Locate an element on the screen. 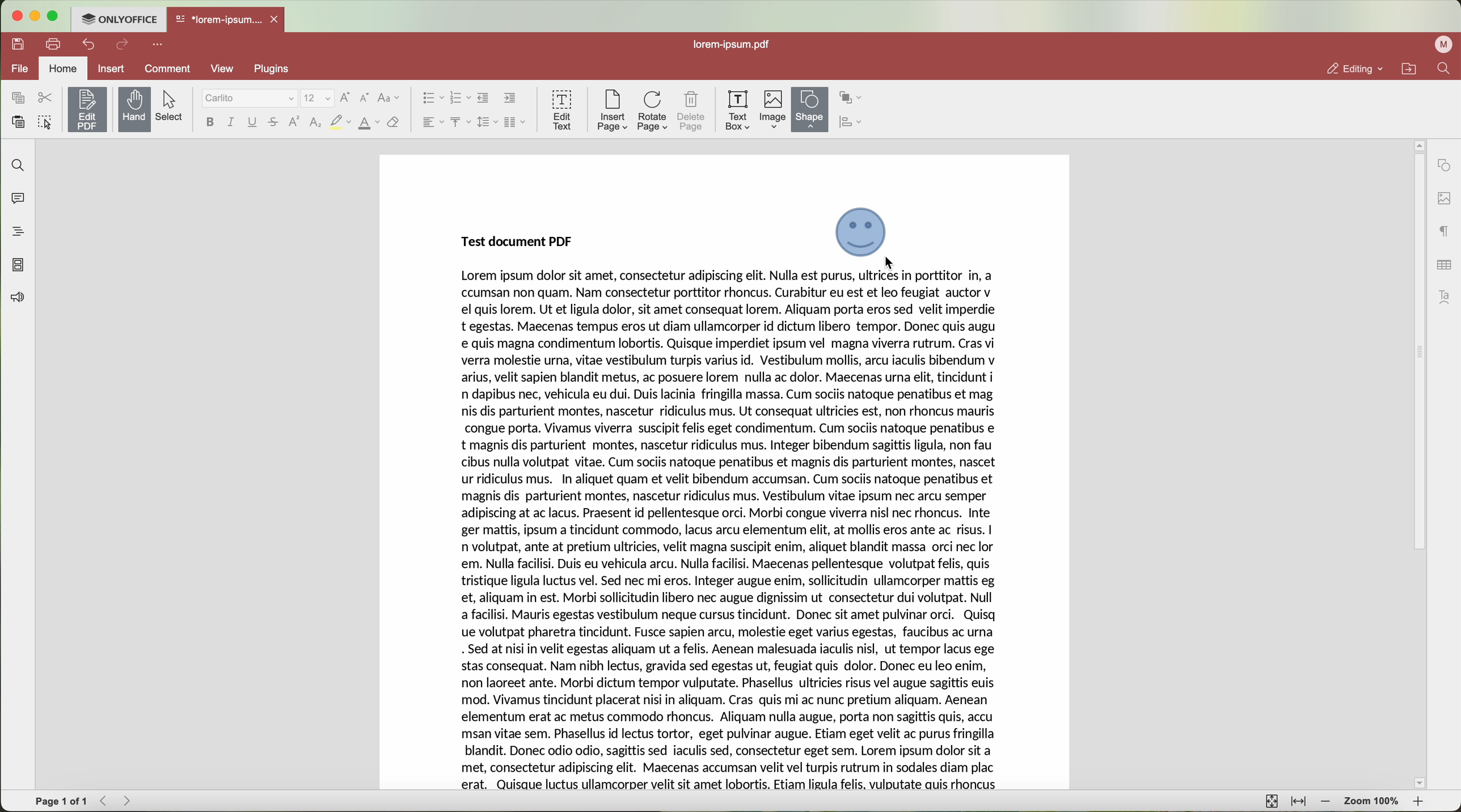 This screenshot has width=1461, height=812. superscript is located at coordinates (293, 122).